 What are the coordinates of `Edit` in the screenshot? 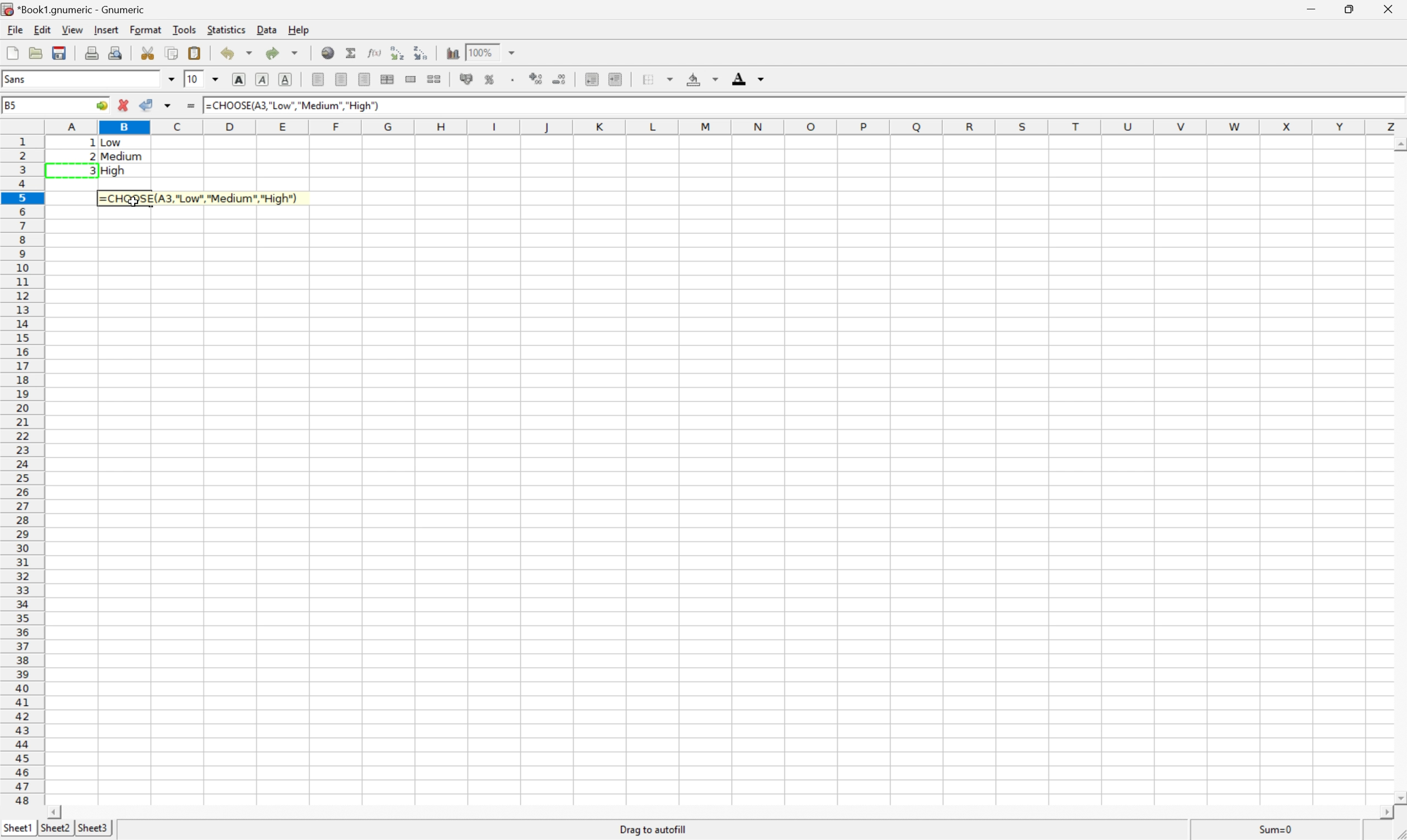 It's located at (41, 28).